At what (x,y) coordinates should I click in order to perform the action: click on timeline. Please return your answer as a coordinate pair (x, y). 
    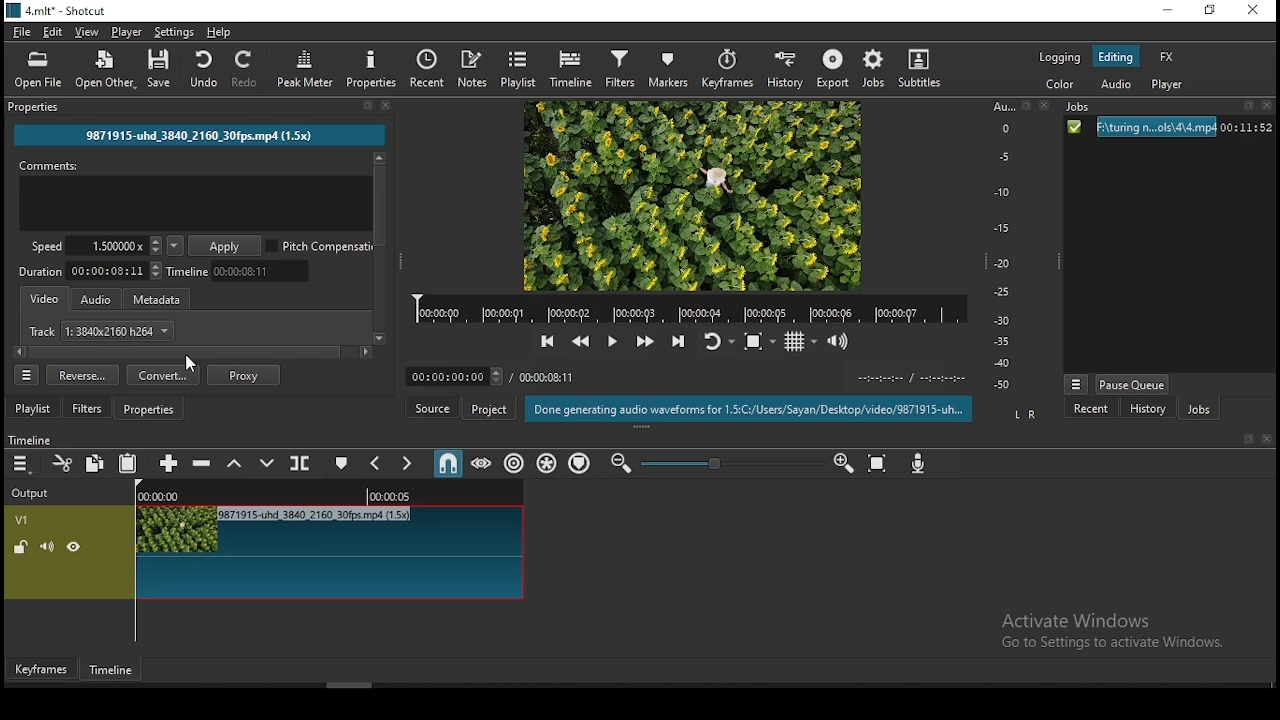
    Looking at the image, I should click on (112, 670).